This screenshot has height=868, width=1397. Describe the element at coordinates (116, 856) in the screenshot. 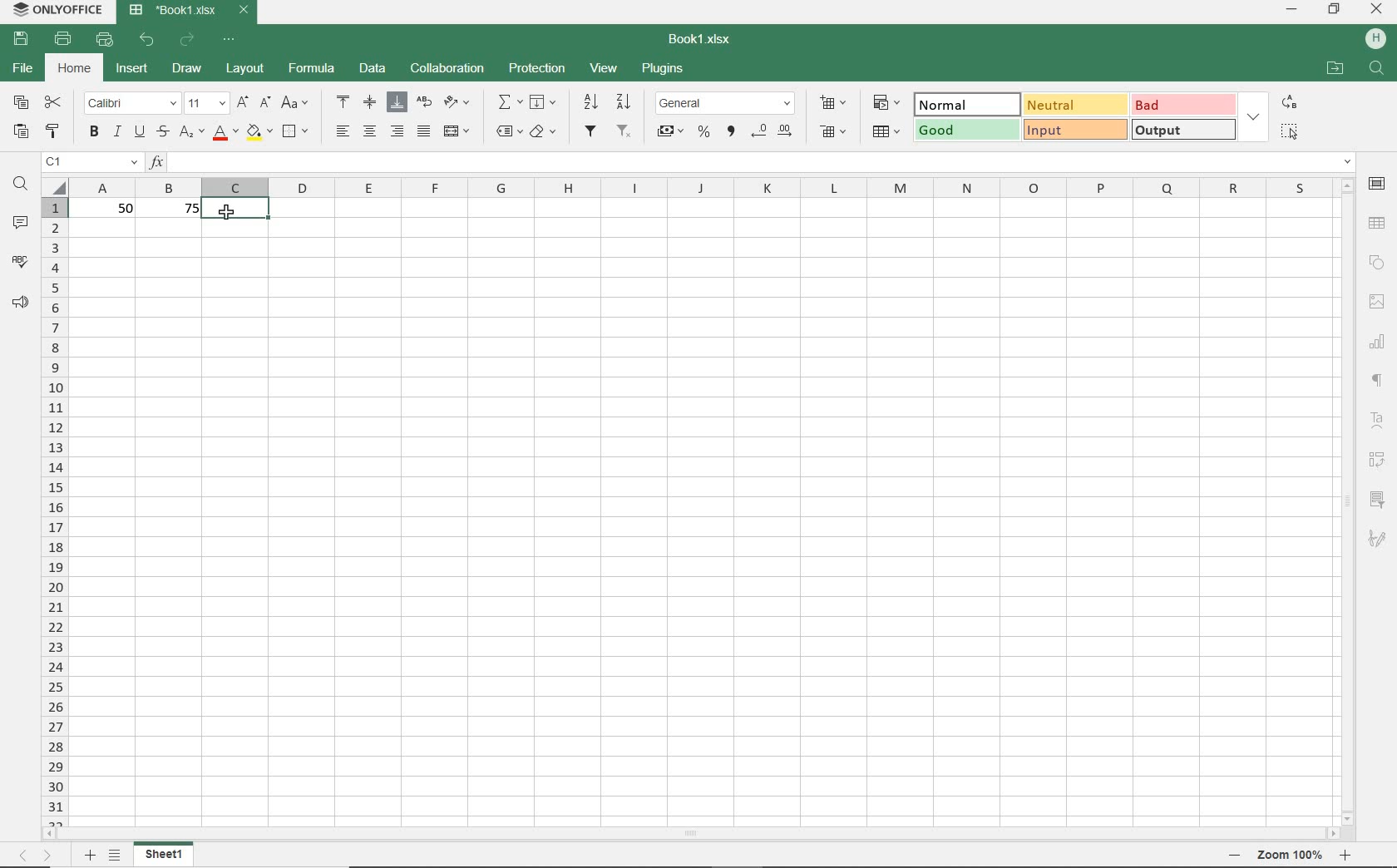

I see `list of sheets` at that location.